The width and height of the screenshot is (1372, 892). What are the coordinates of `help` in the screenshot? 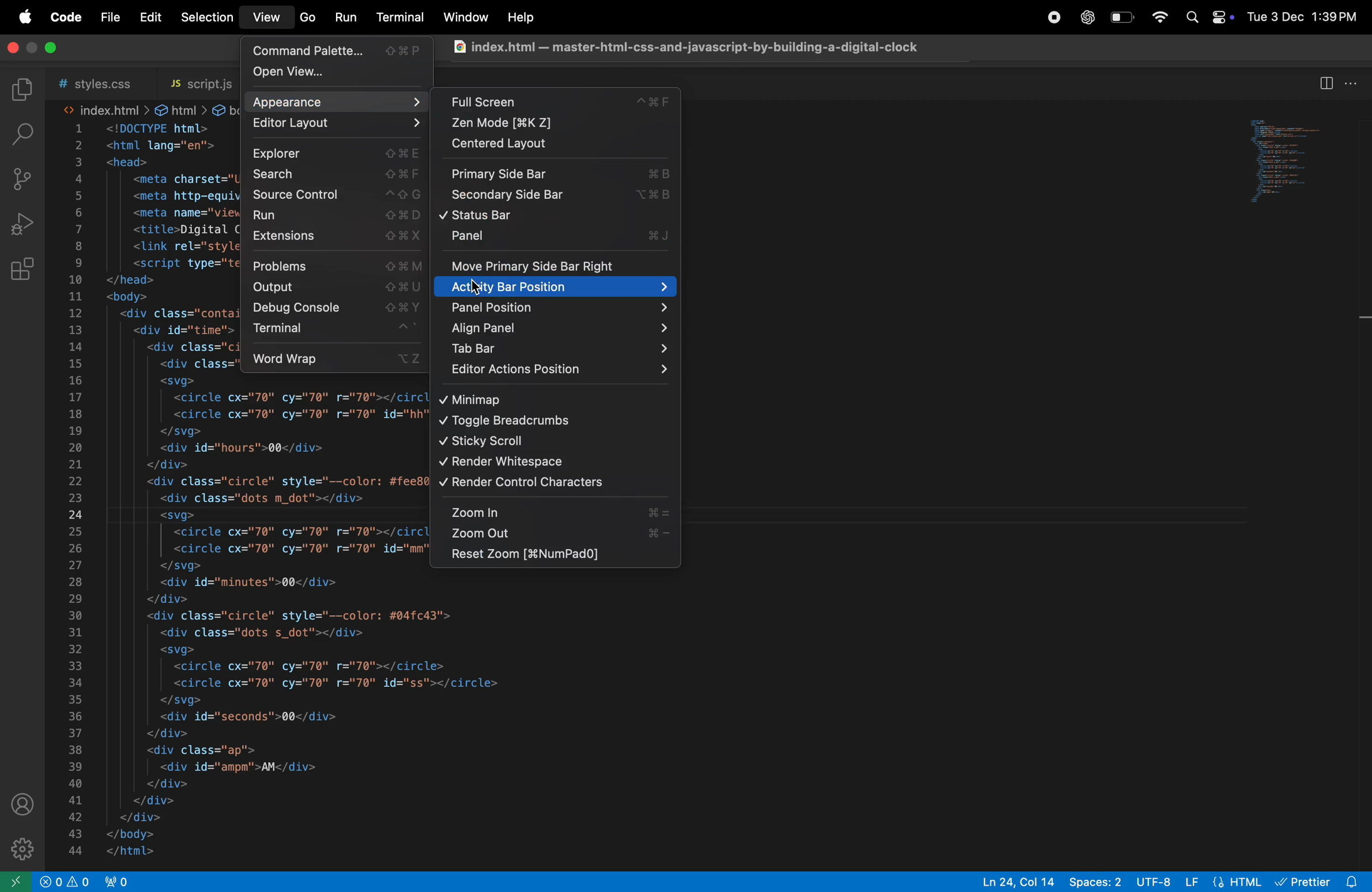 It's located at (524, 18).